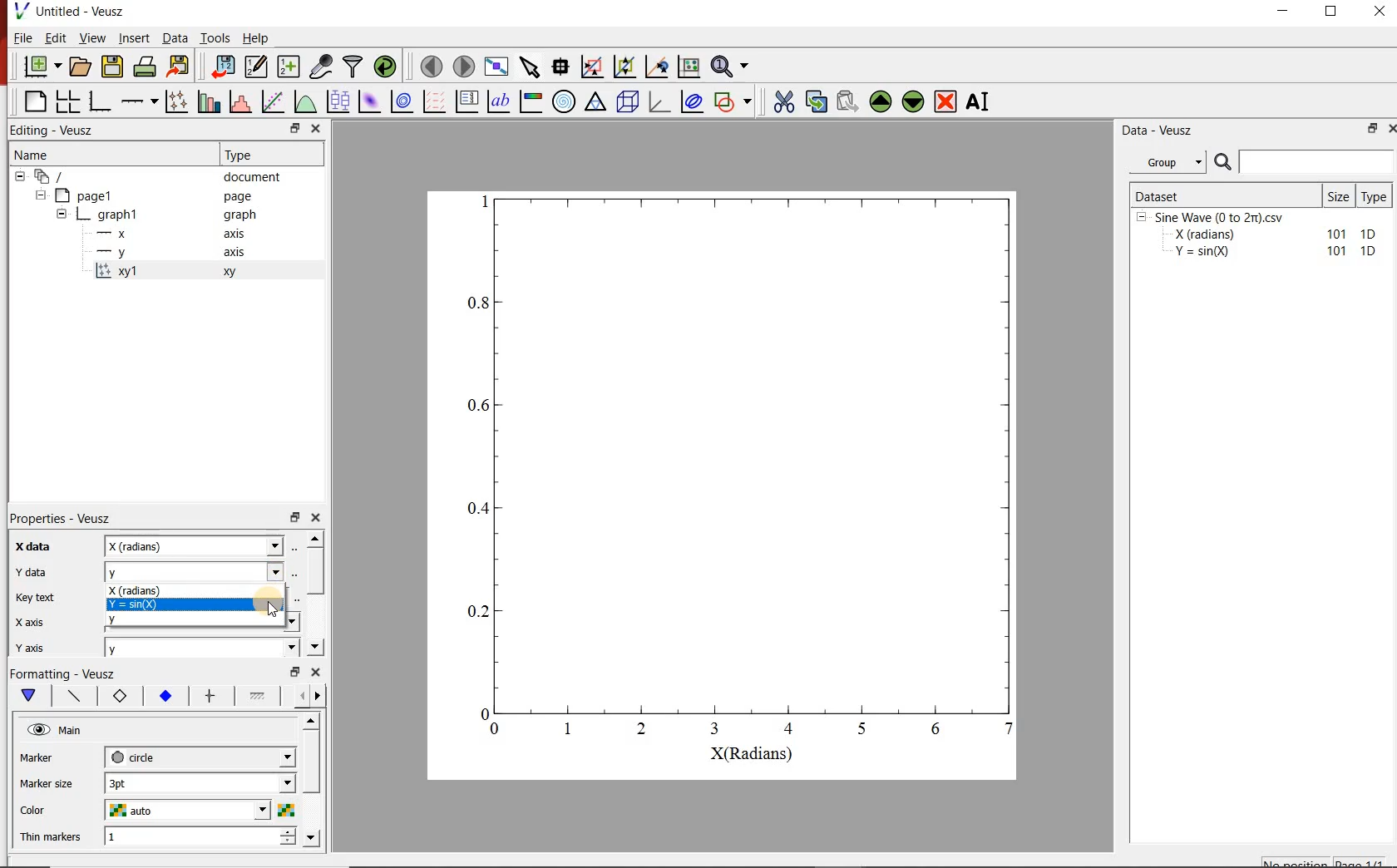 The image size is (1397, 868). I want to click on add a shape to the plot, so click(736, 101).